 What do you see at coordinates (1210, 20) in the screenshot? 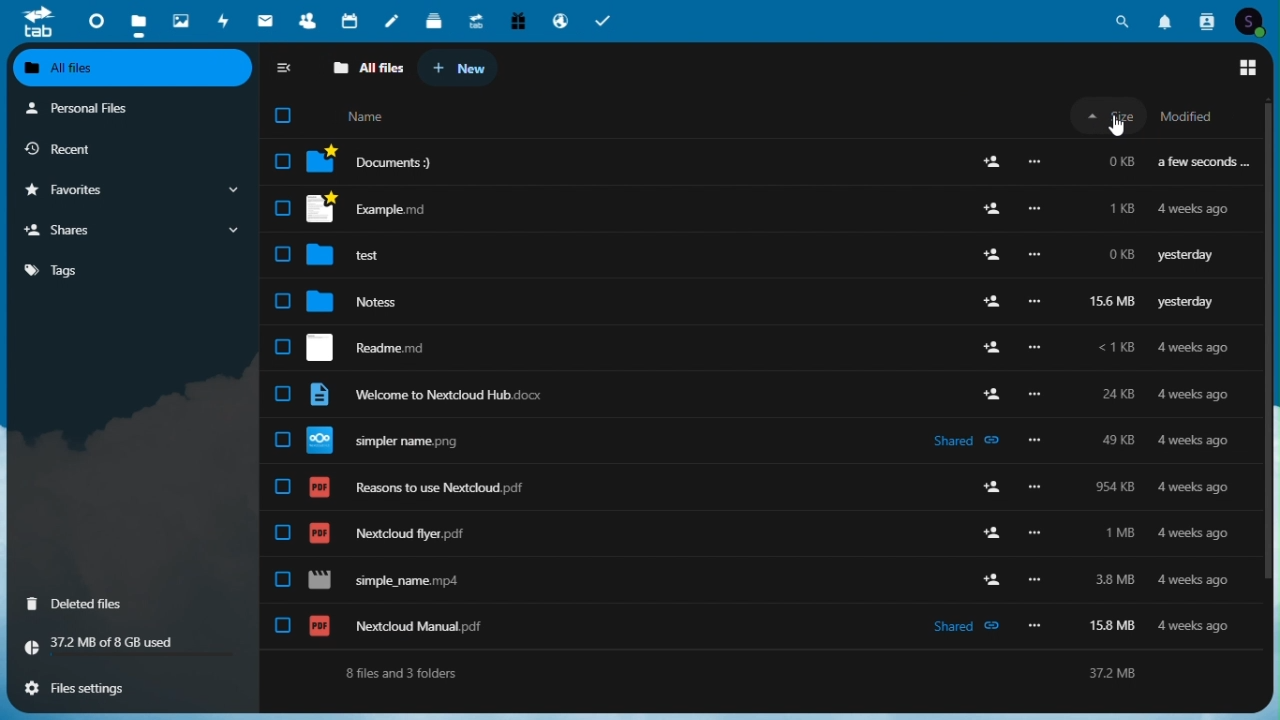
I see `Contacts` at bounding box center [1210, 20].